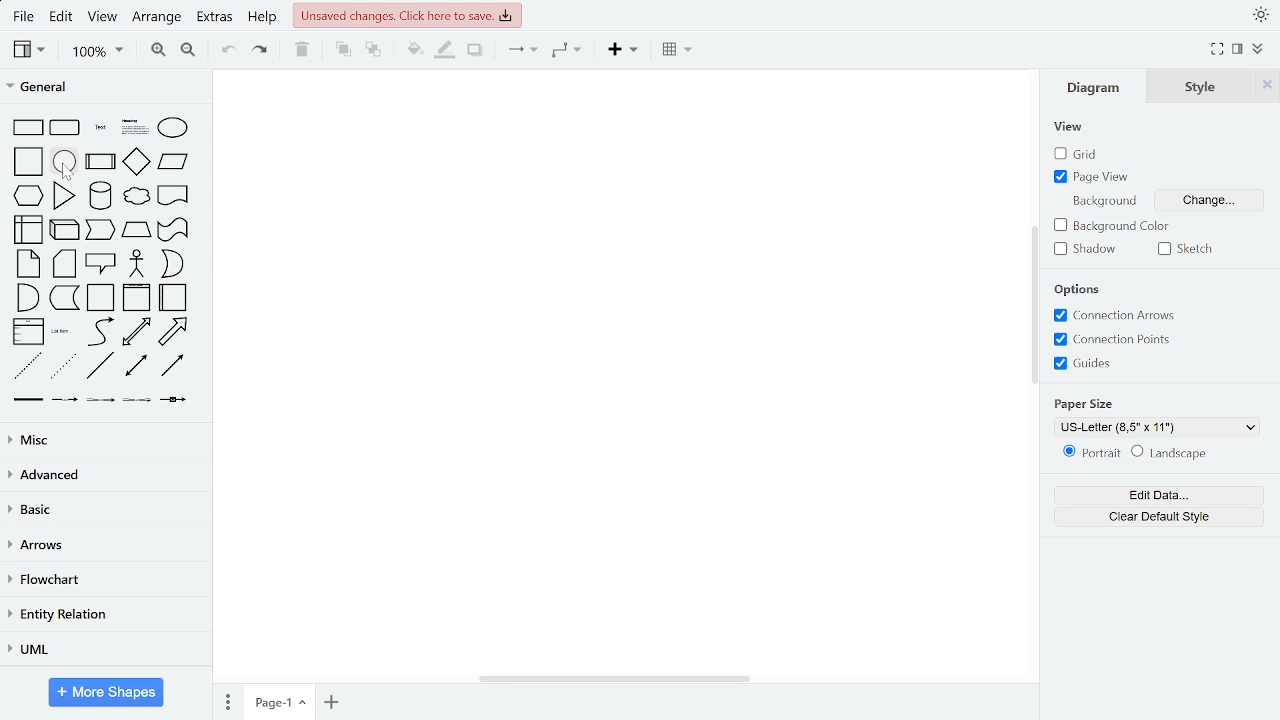  Describe the element at coordinates (64, 263) in the screenshot. I see `card` at that location.